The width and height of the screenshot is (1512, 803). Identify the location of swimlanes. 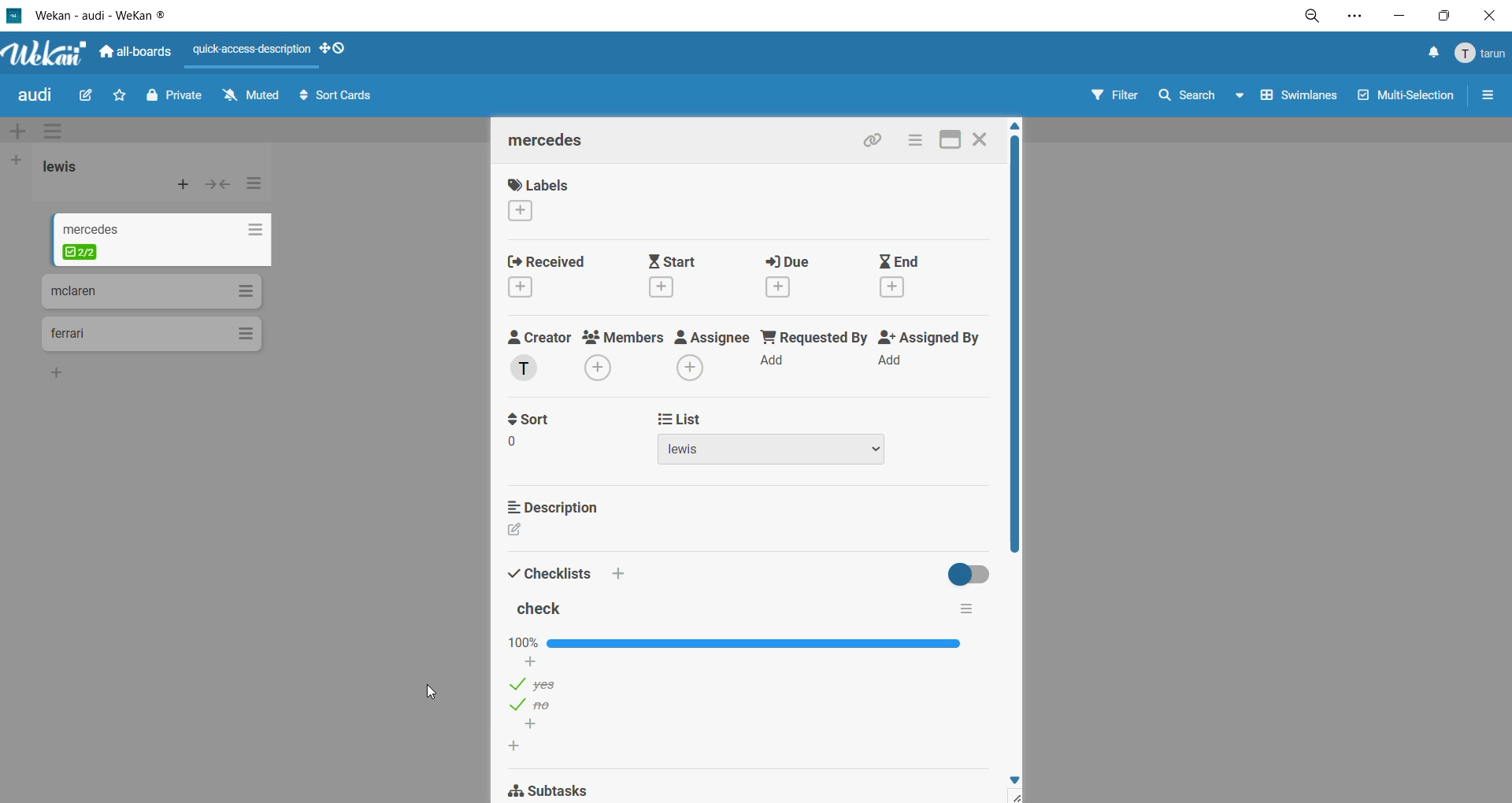
(1300, 94).